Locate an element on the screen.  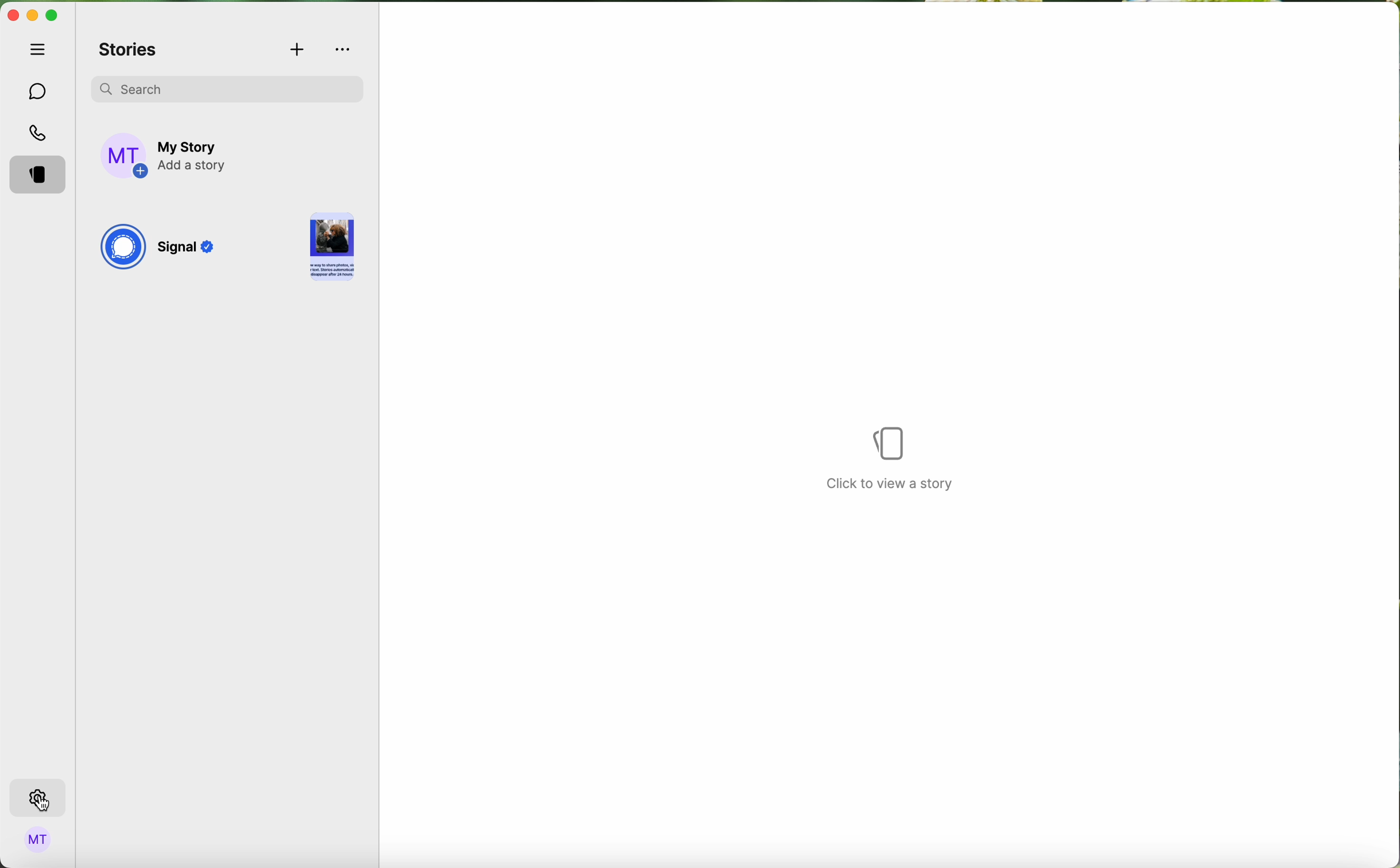
add story is located at coordinates (194, 157).